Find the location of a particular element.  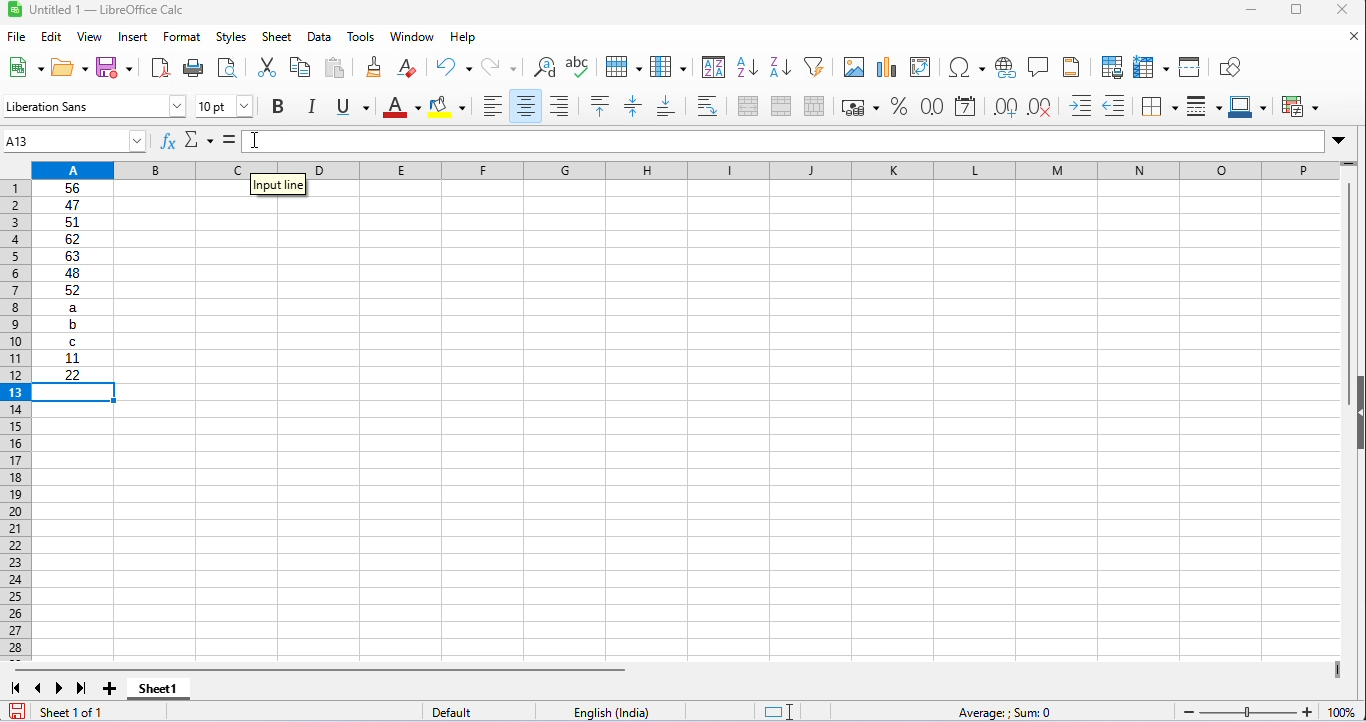

insert is located at coordinates (132, 38).